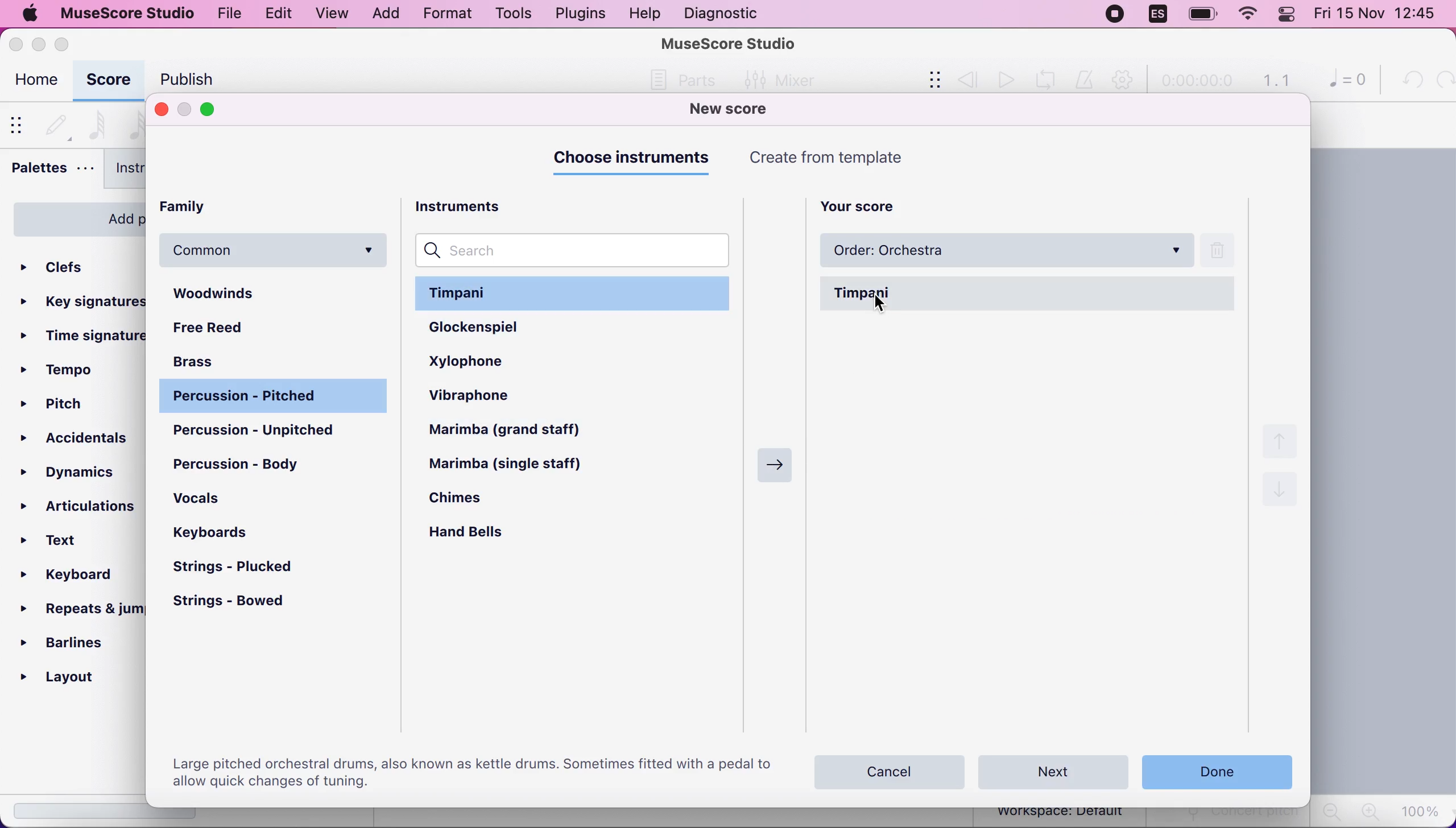 The height and width of the screenshot is (828, 1456). What do you see at coordinates (1230, 818) in the screenshot?
I see `concert pitch` at bounding box center [1230, 818].